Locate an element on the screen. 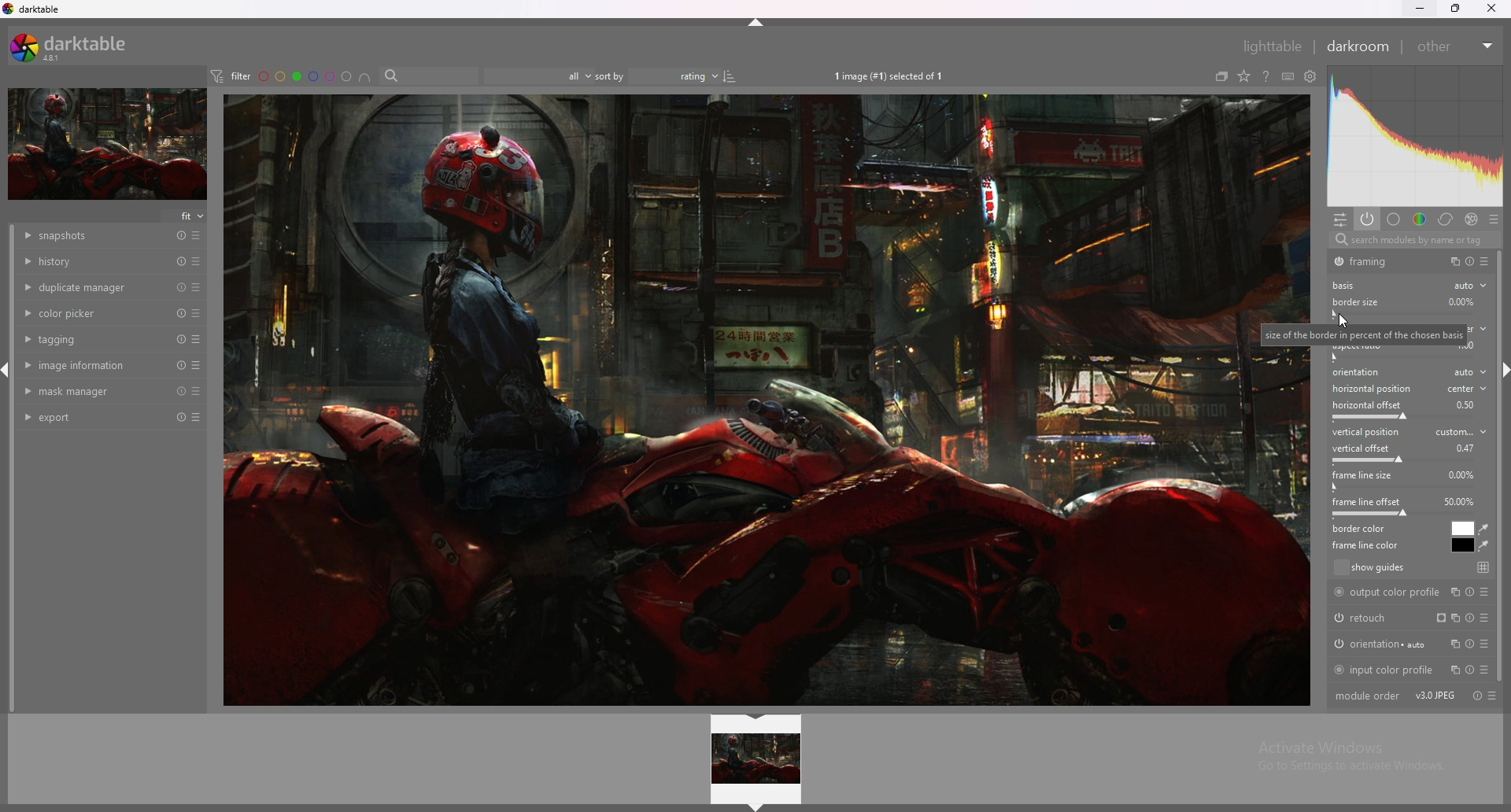 The height and width of the screenshot is (812, 1511). filter by images rating is located at coordinates (531, 75).